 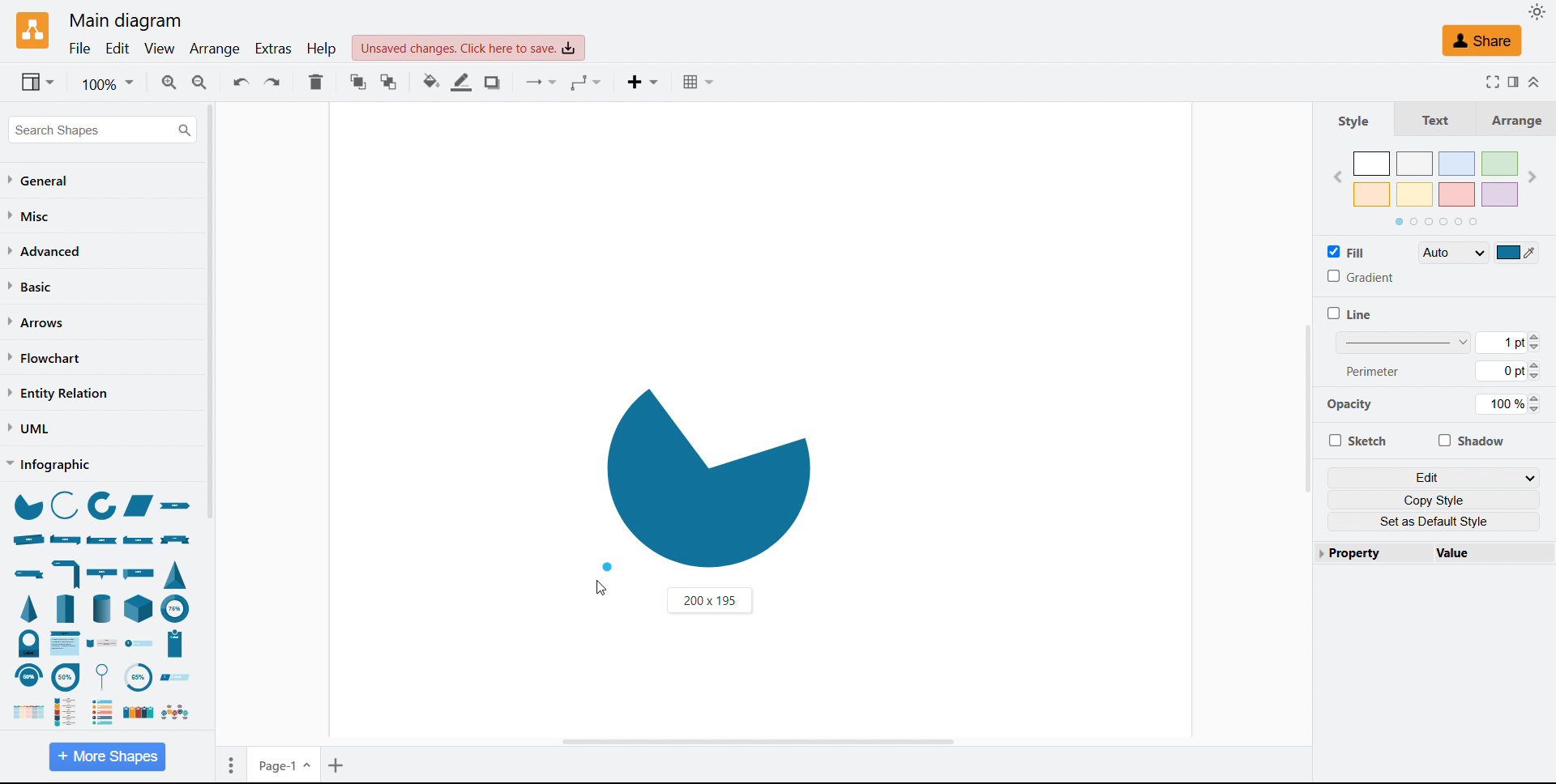 What do you see at coordinates (463, 82) in the screenshot?
I see `Line colour ` at bounding box center [463, 82].